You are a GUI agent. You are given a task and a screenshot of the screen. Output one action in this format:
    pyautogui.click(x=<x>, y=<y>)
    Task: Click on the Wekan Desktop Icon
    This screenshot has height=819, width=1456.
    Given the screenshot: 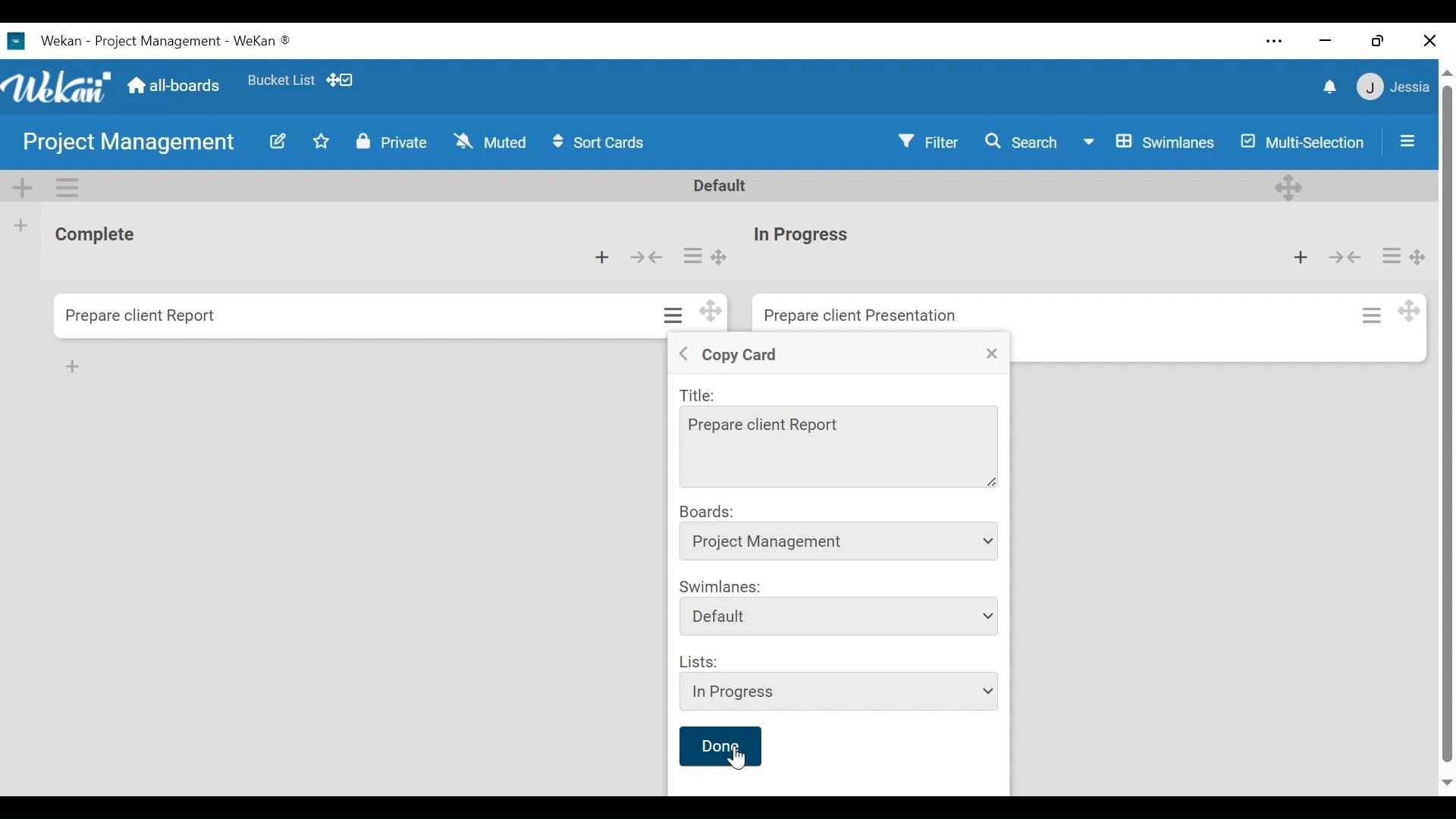 What is the action you would take?
    pyautogui.click(x=162, y=39)
    